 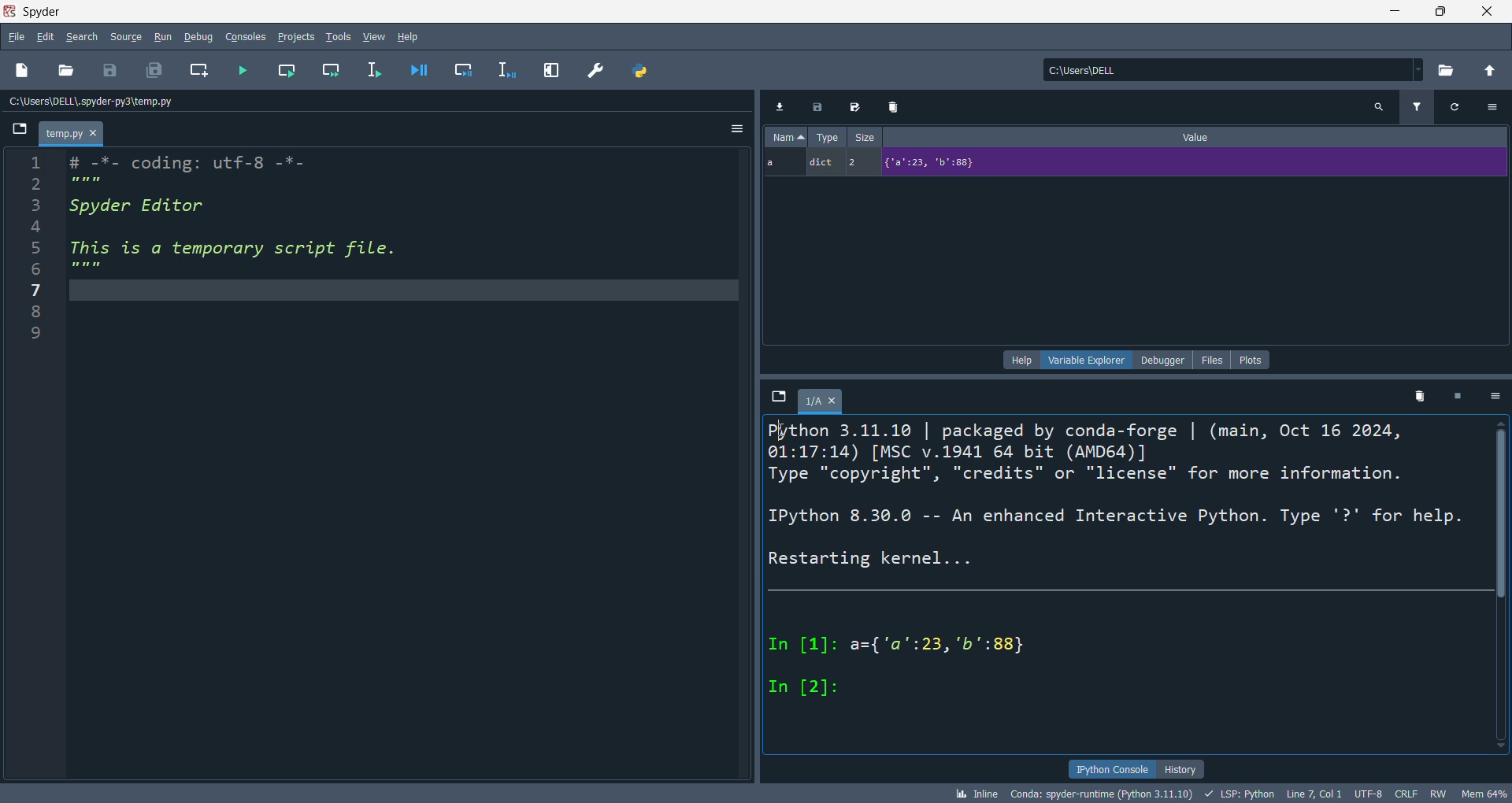 What do you see at coordinates (46, 36) in the screenshot?
I see `edit` at bounding box center [46, 36].